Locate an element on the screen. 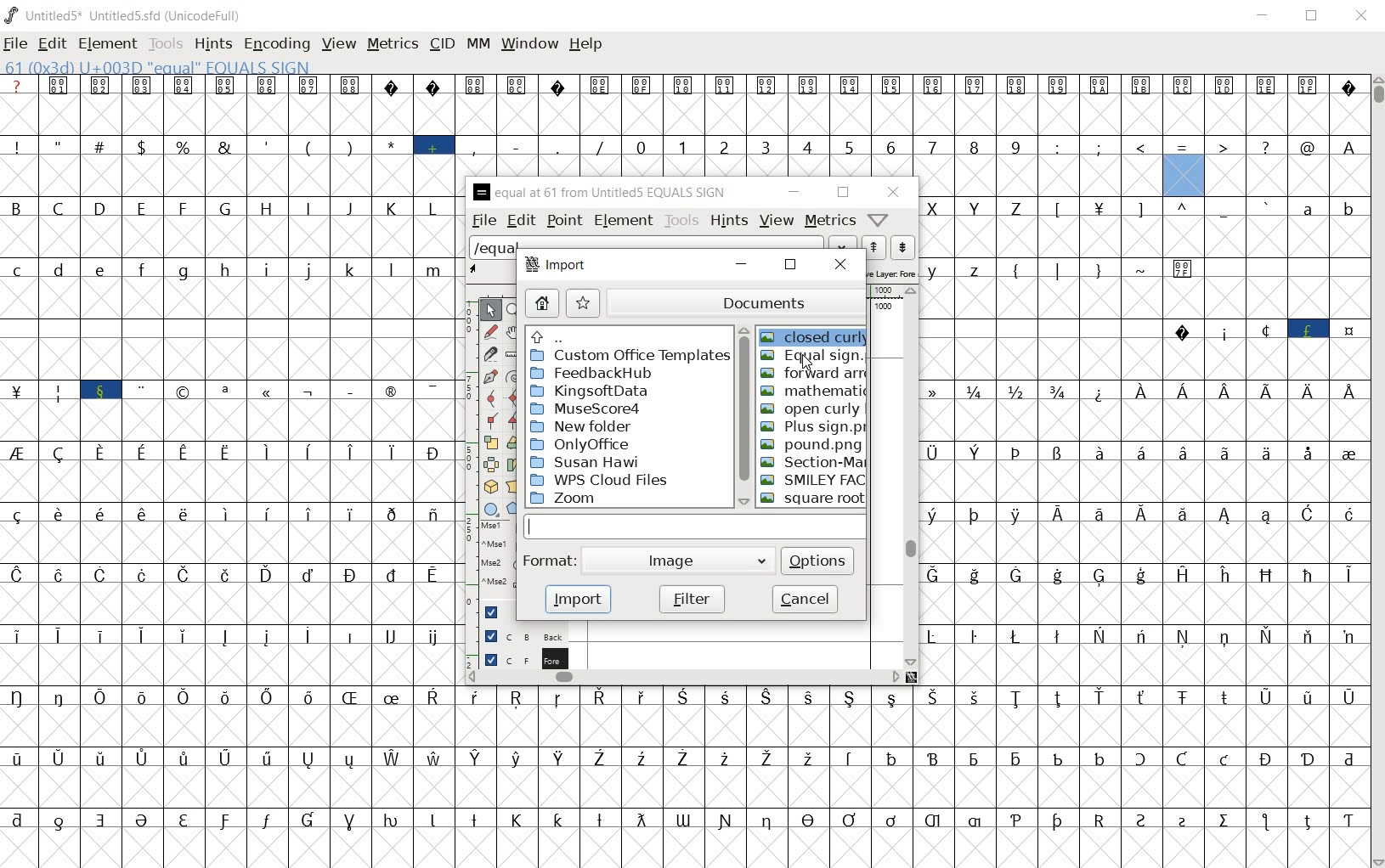  61(0x3d) U+003D "EQUAL" EQUALS SIGN is located at coordinates (1184, 169).